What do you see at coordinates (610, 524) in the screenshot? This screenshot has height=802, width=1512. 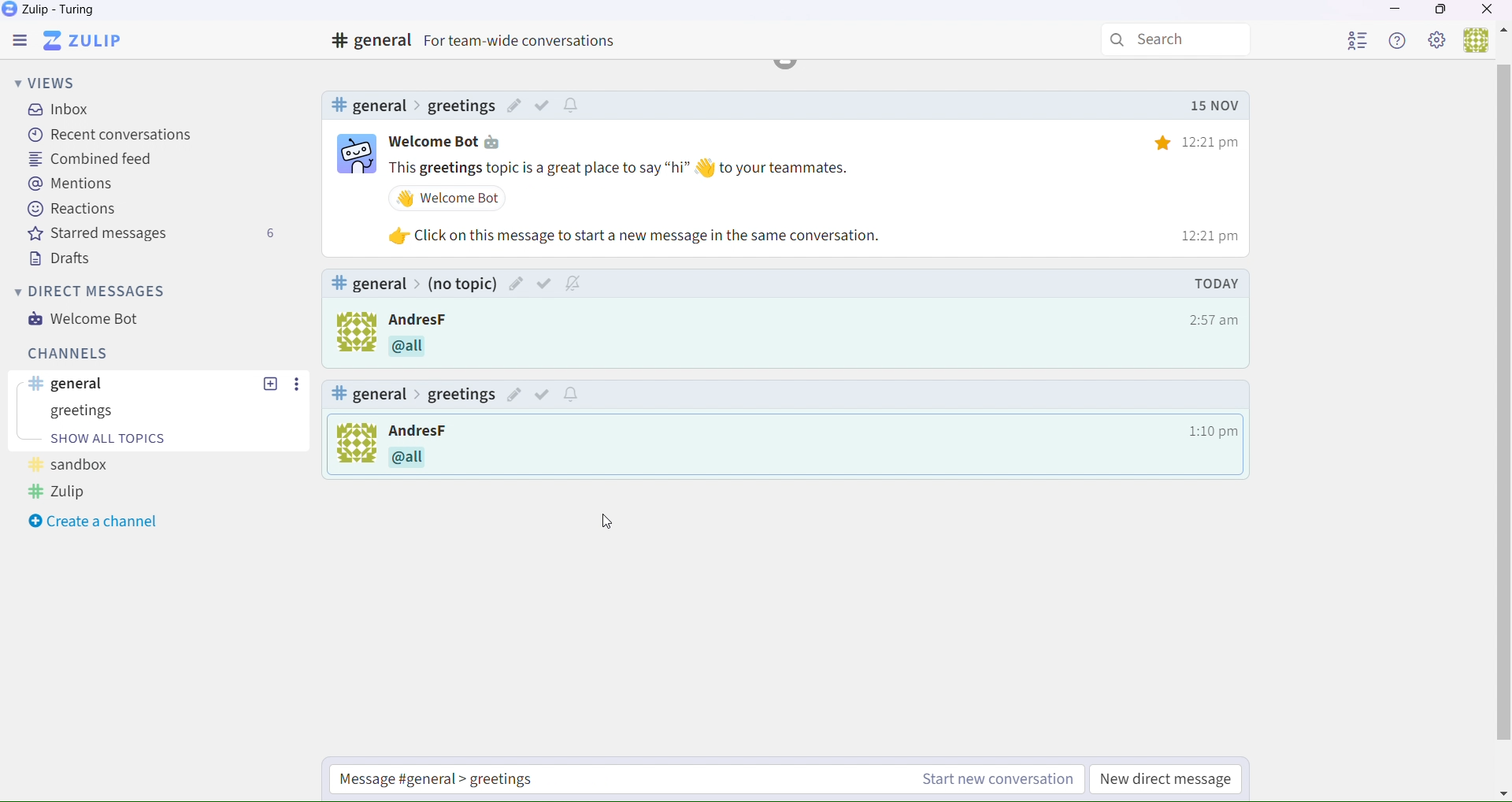 I see `Cursor` at bounding box center [610, 524].